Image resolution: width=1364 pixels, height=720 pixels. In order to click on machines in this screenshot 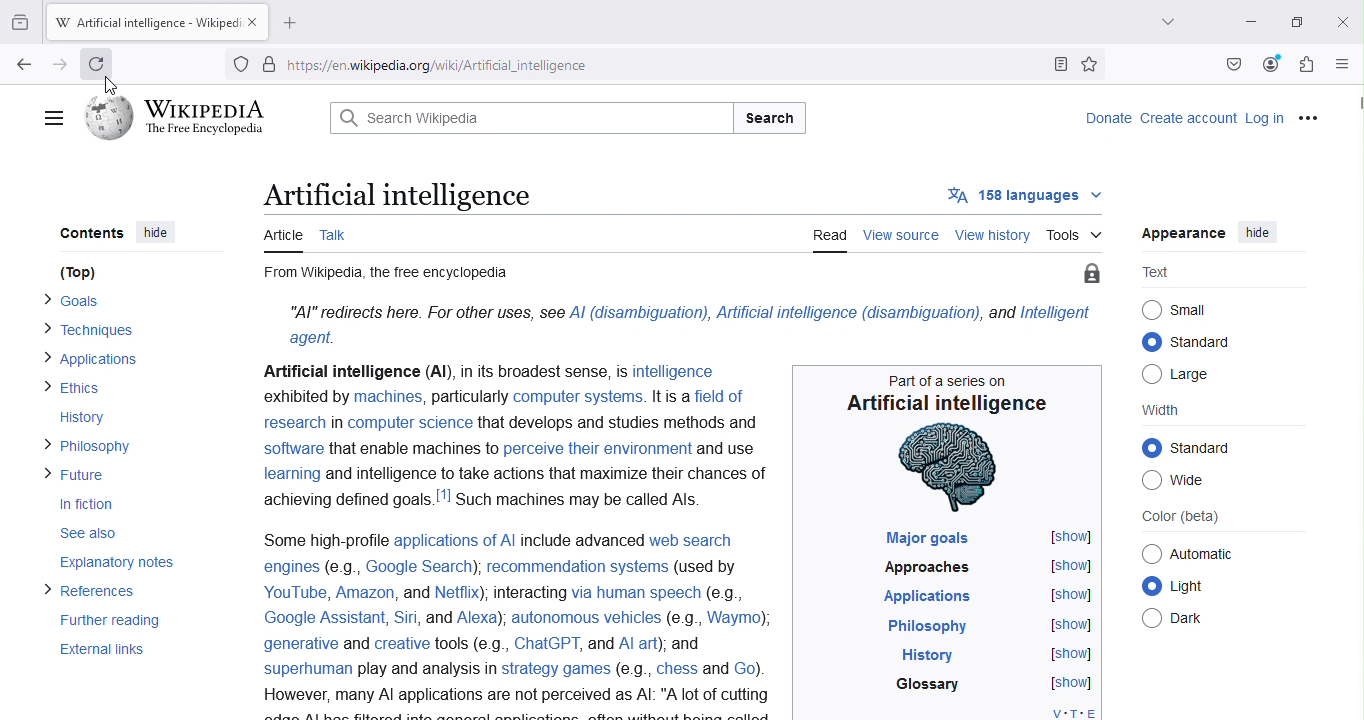, I will do `click(389, 397)`.